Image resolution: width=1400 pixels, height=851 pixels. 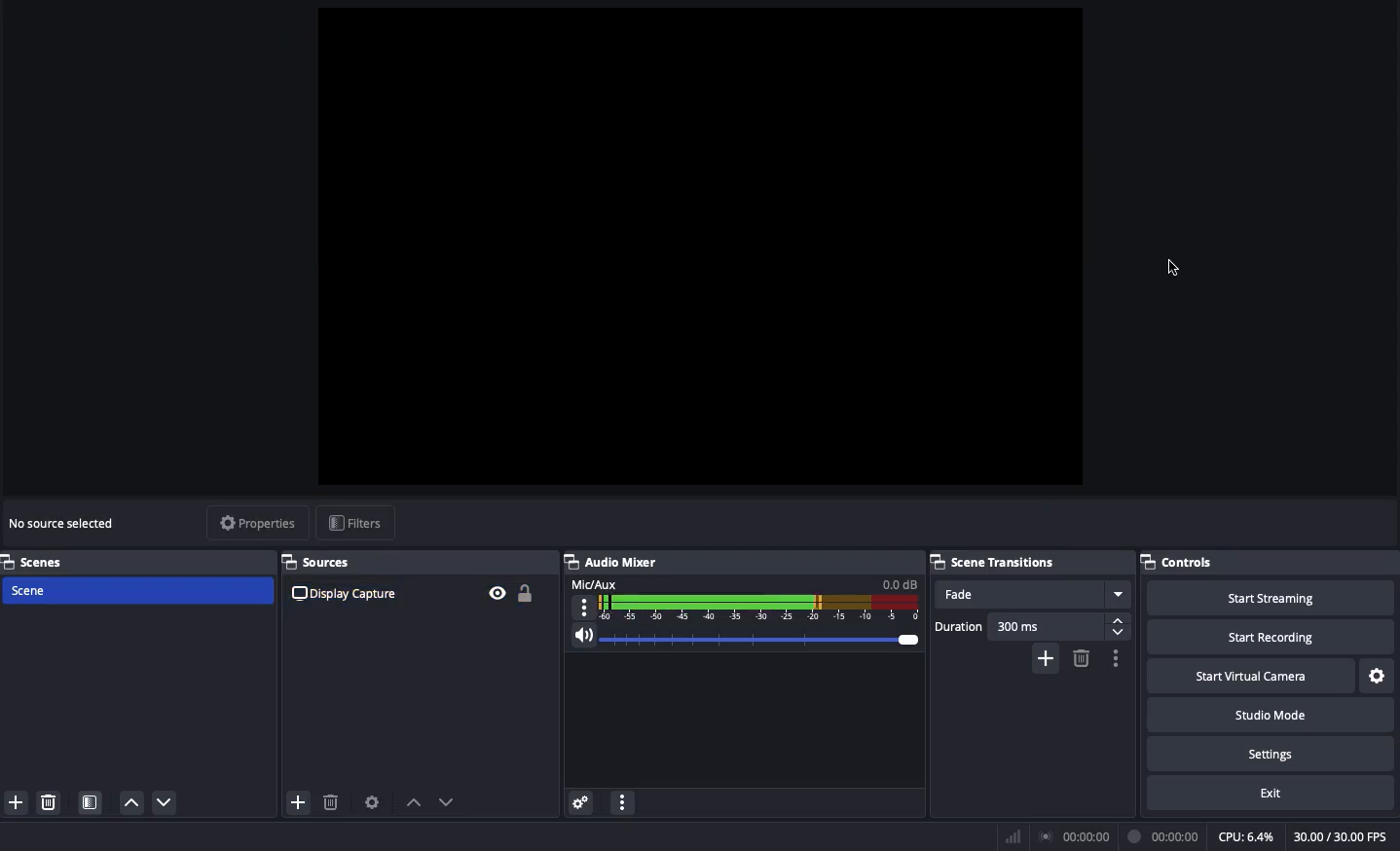 I want to click on Properties, so click(x=254, y=523).